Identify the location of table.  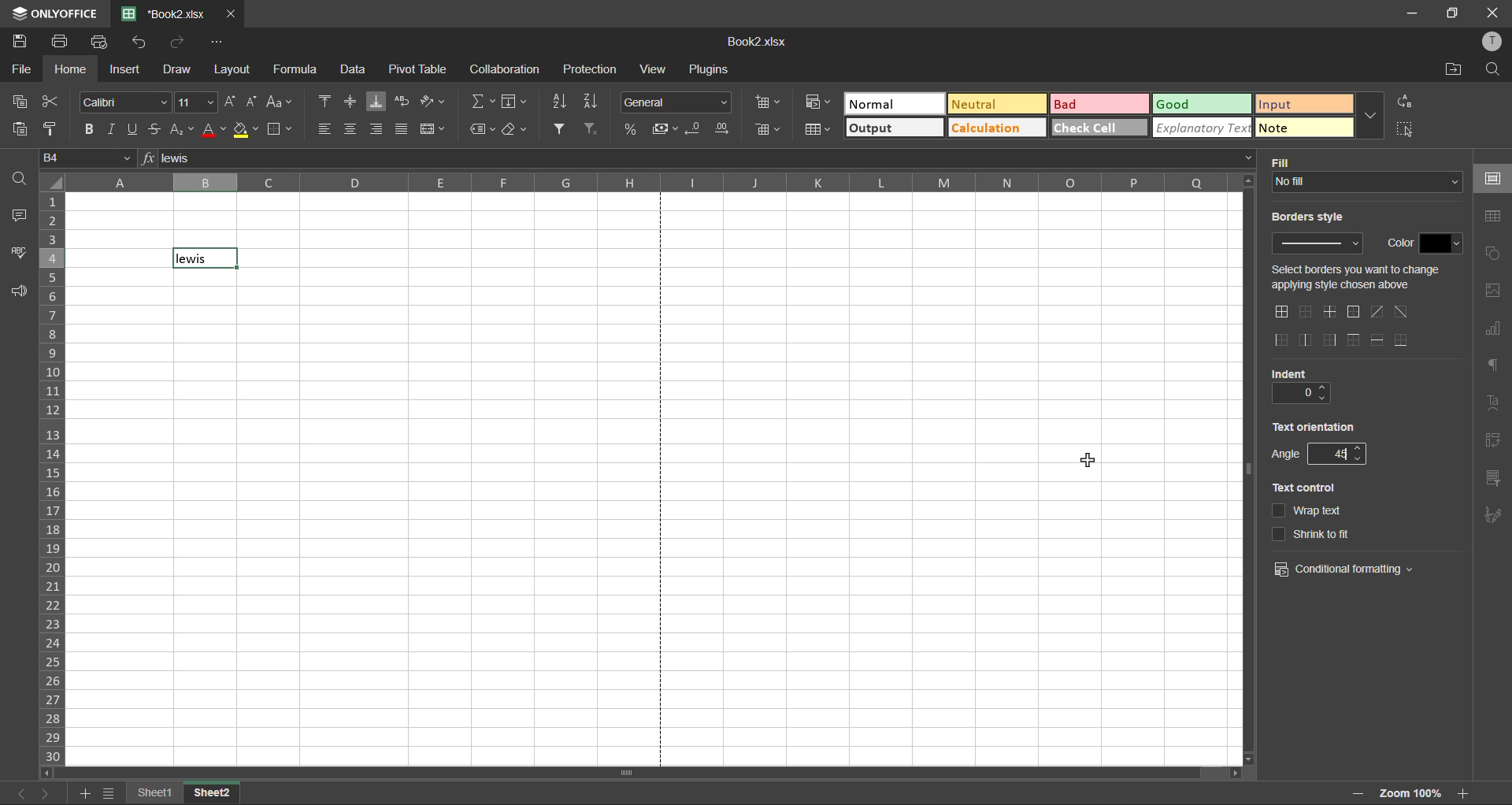
(1493, 218).